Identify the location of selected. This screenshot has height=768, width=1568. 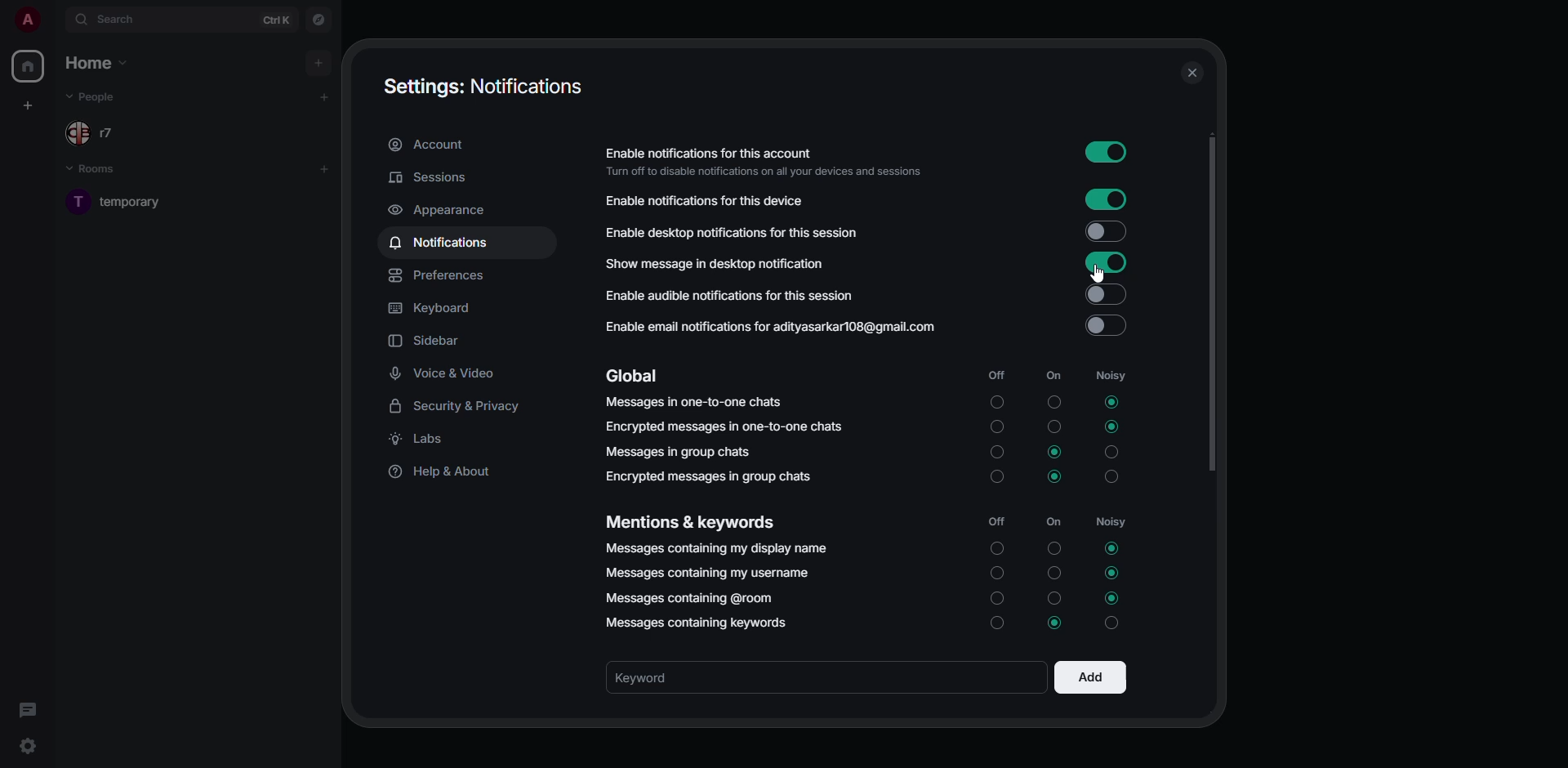
(1057, 475).